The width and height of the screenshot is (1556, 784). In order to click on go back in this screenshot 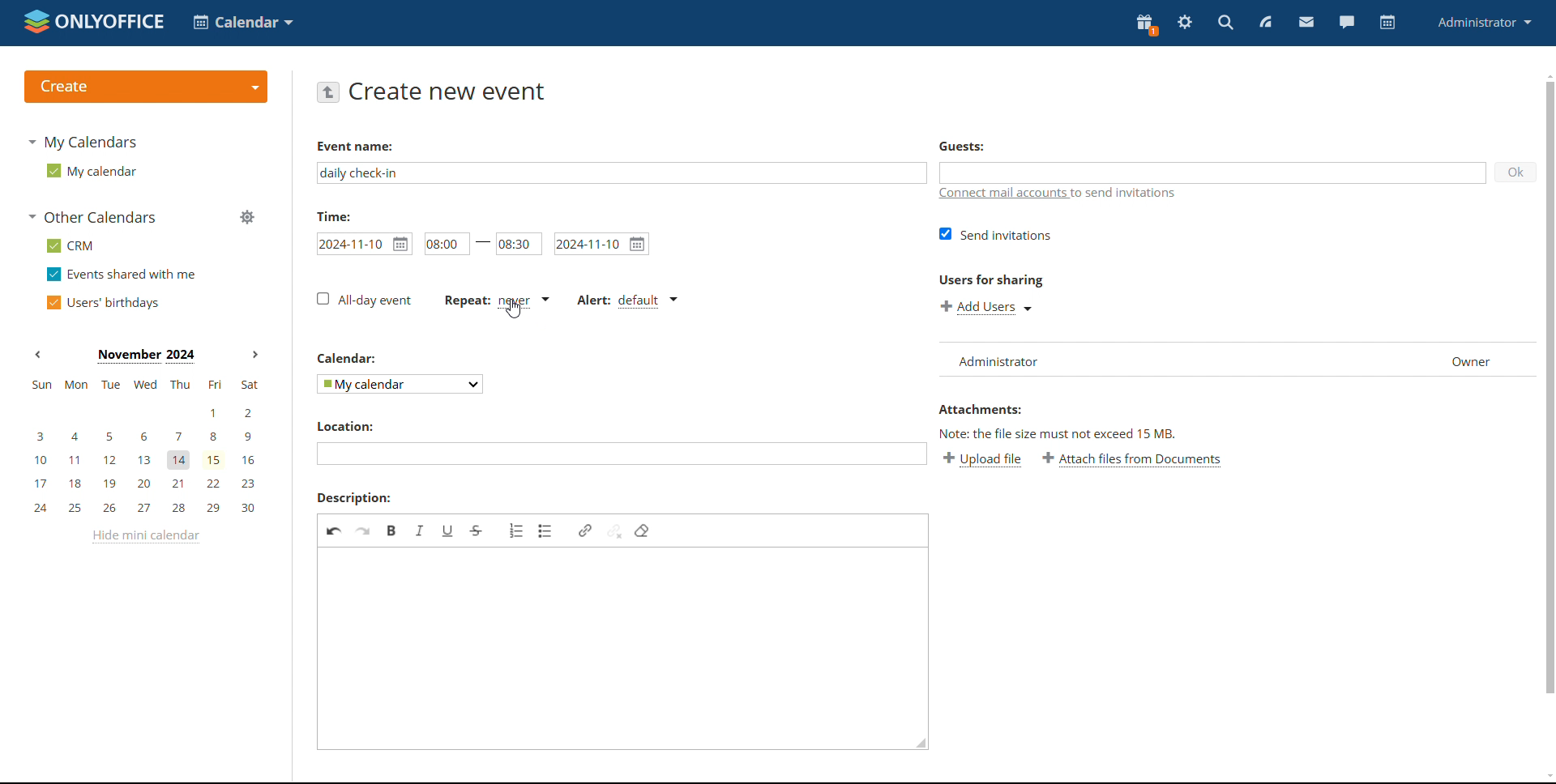, I will do `click(328, 92)`.